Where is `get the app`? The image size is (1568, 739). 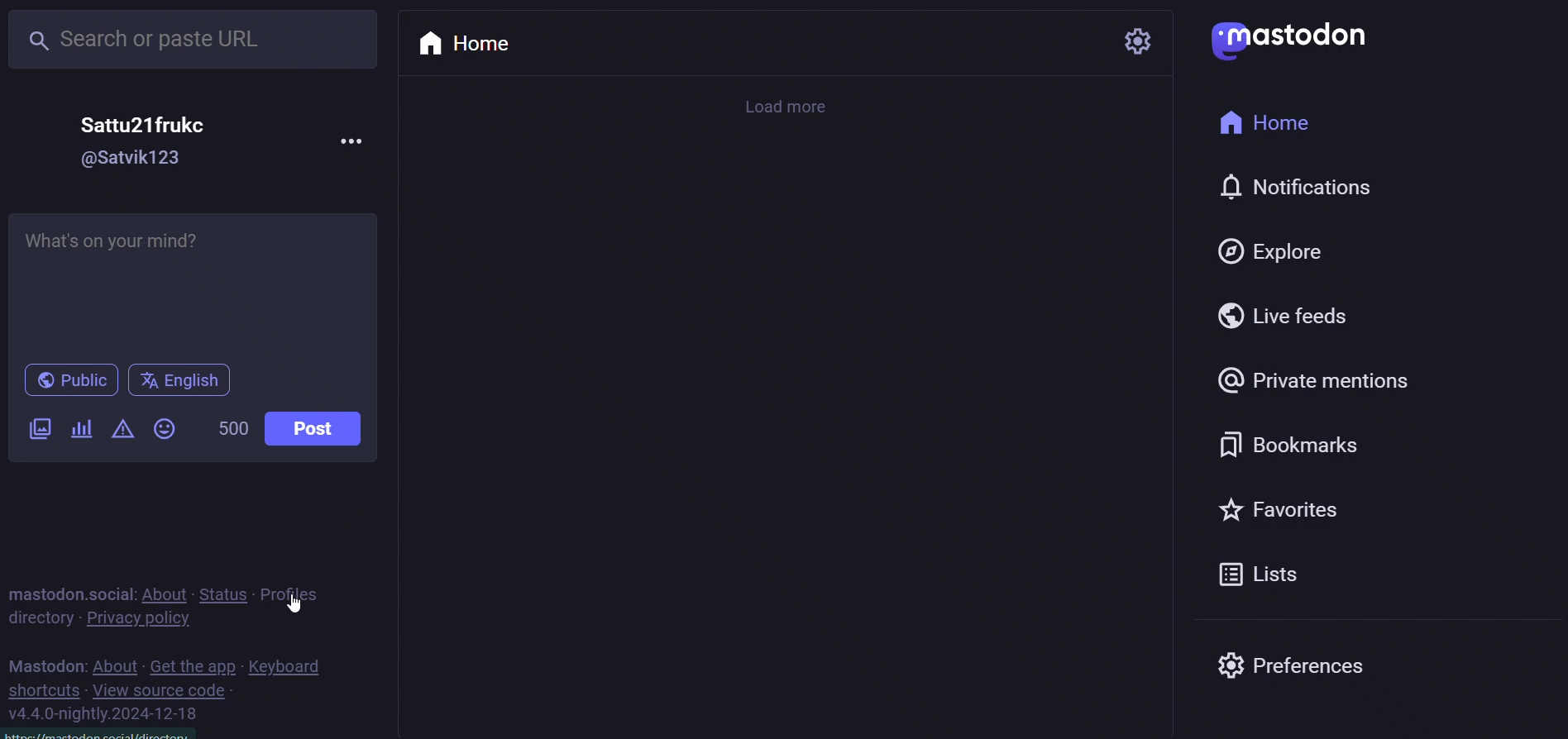
get the app is located at coordinates (192, 666).